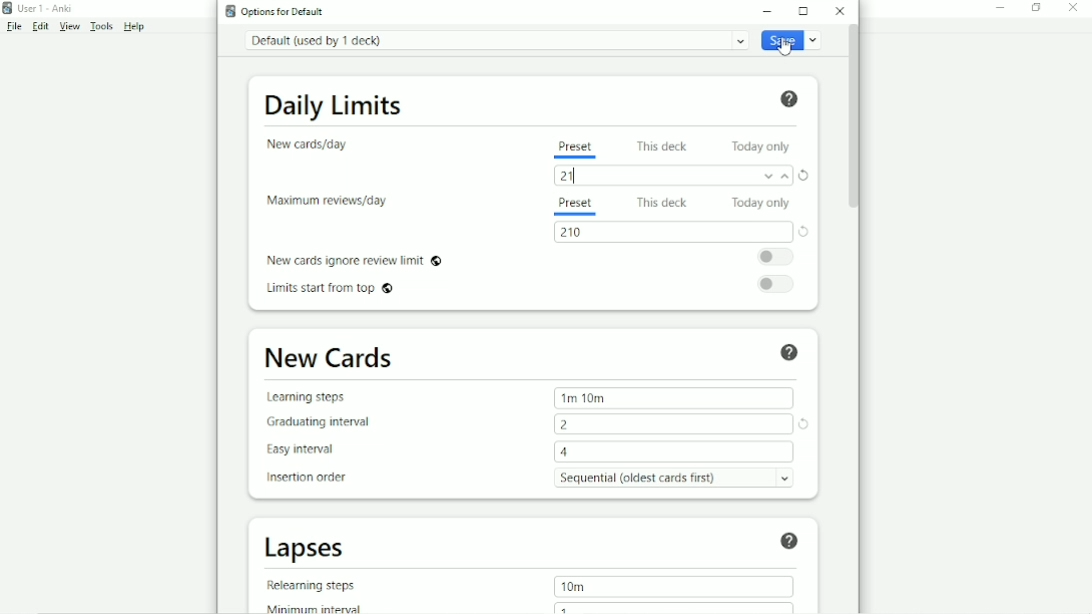 The width and height of the screenshot is (1092, 614). I want to click on Increment value, so click(787, 179).